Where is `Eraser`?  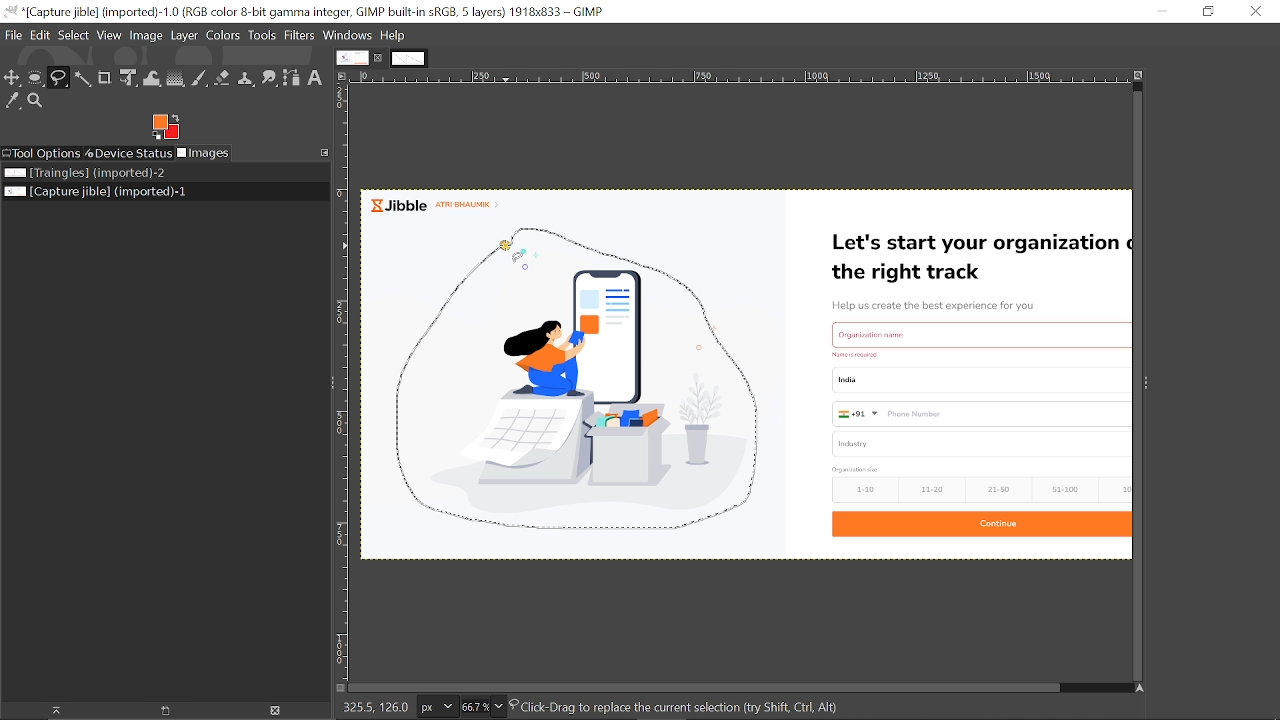
Eraser is located at coordinates (222, 77).